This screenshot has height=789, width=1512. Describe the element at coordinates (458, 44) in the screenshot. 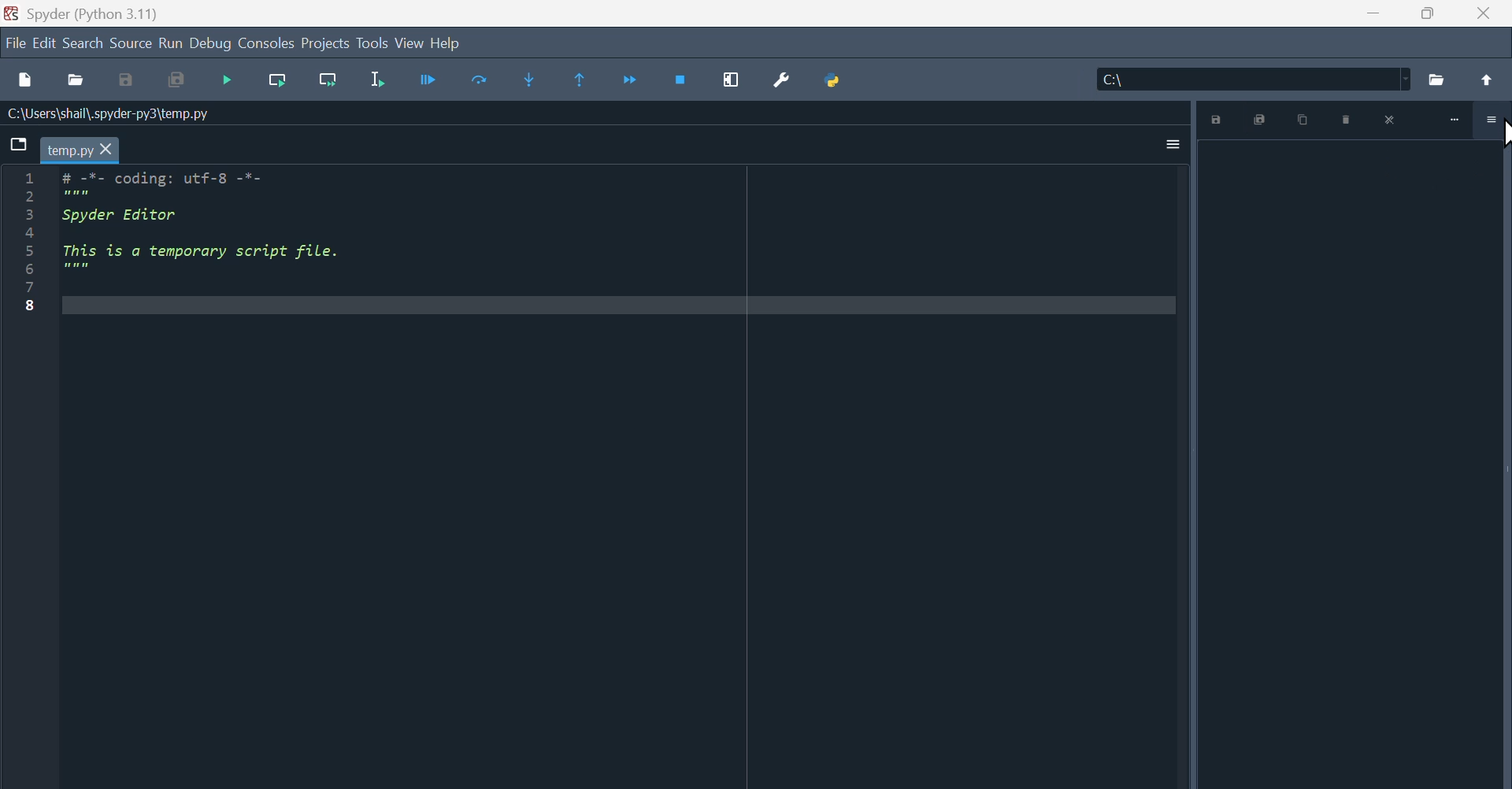

I see `help` at that location.